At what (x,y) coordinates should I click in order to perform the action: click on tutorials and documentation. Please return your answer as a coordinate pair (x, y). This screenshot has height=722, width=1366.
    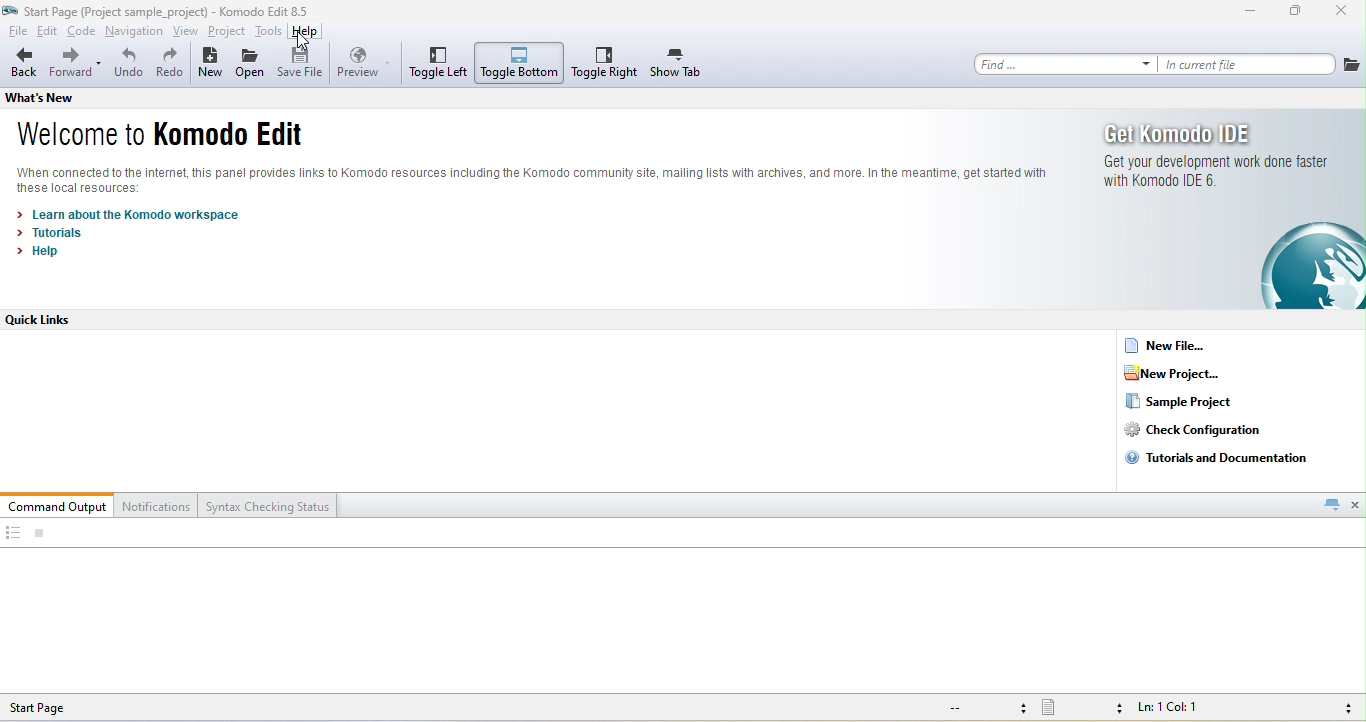
    Looking at the image, I should click on (1222, 457).